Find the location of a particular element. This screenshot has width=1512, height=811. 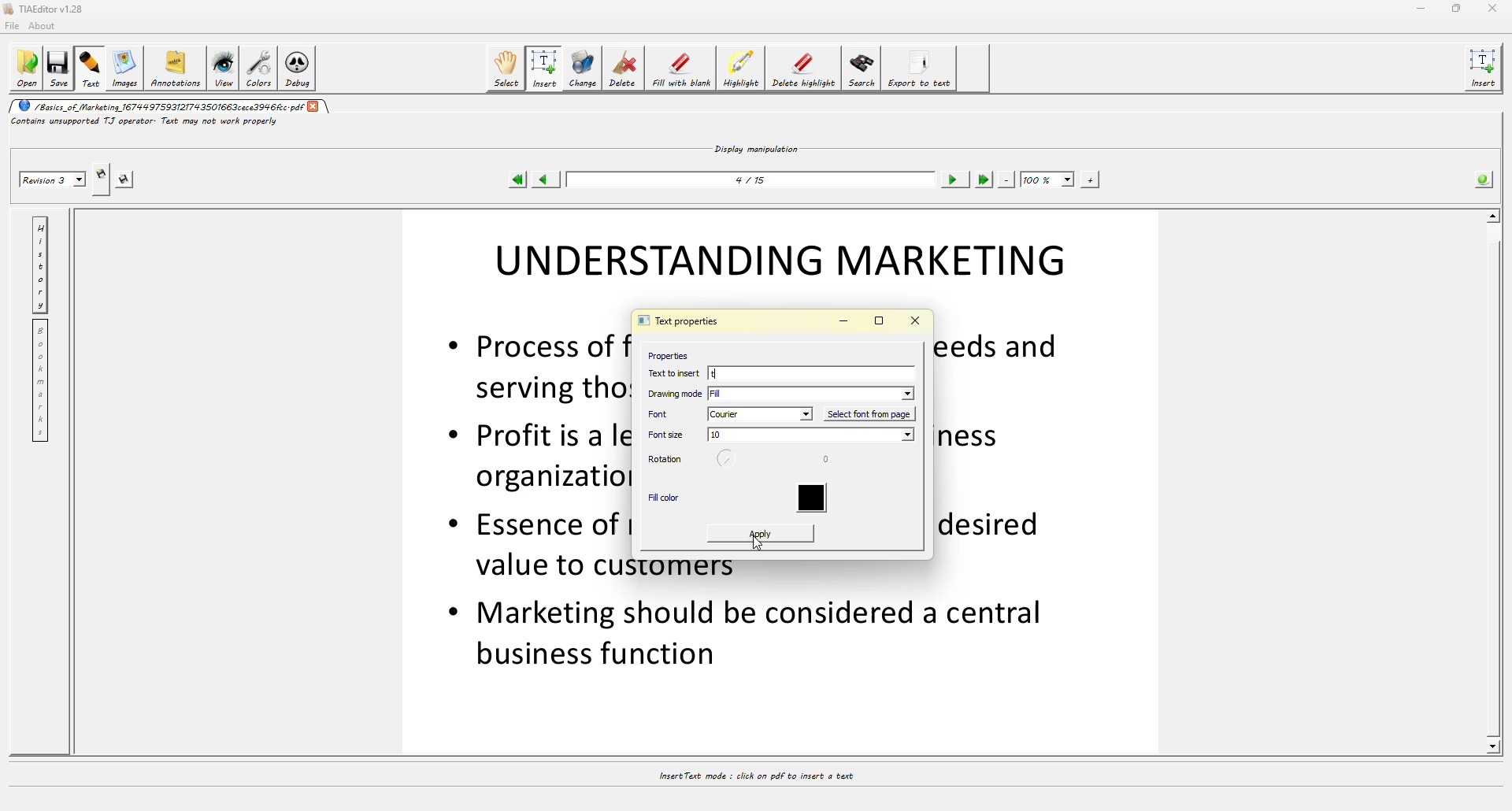

courier is located at coordinates (761, 414).